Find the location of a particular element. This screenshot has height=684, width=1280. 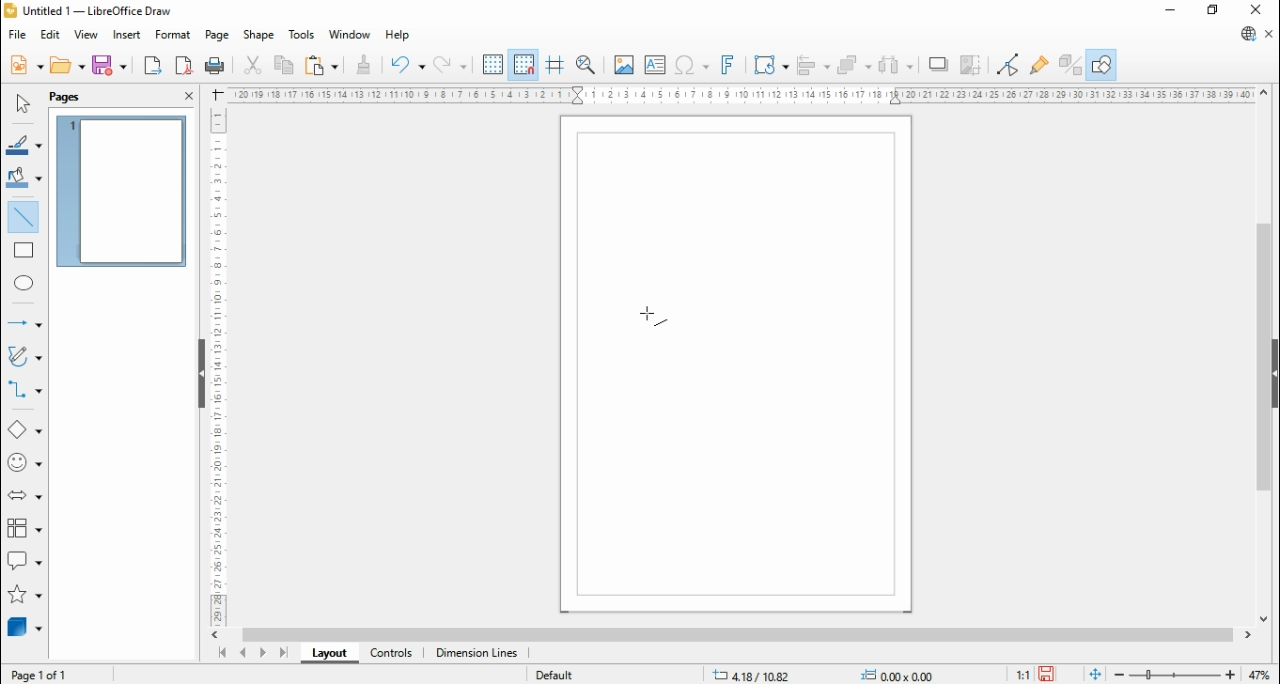

page 1 is located at coordinates (122, 191).